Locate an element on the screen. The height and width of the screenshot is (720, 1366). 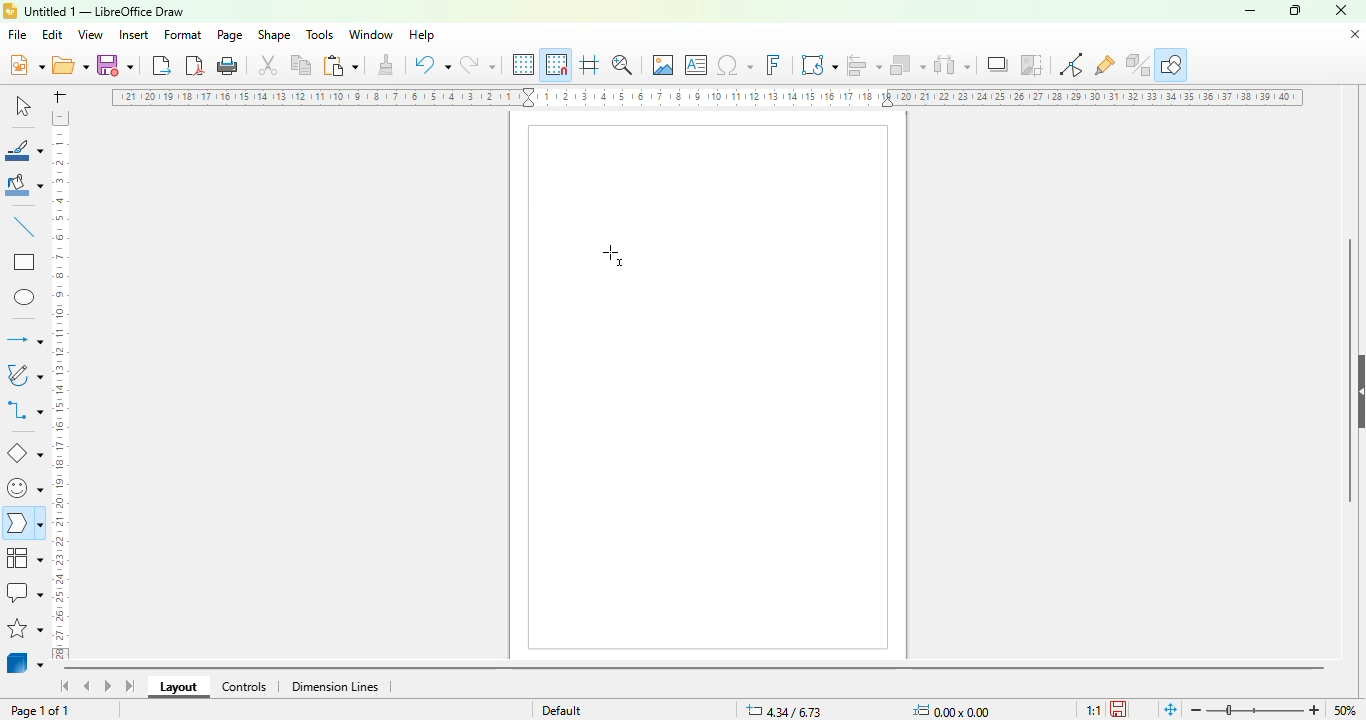
shape is located at coordinates (274, 34).